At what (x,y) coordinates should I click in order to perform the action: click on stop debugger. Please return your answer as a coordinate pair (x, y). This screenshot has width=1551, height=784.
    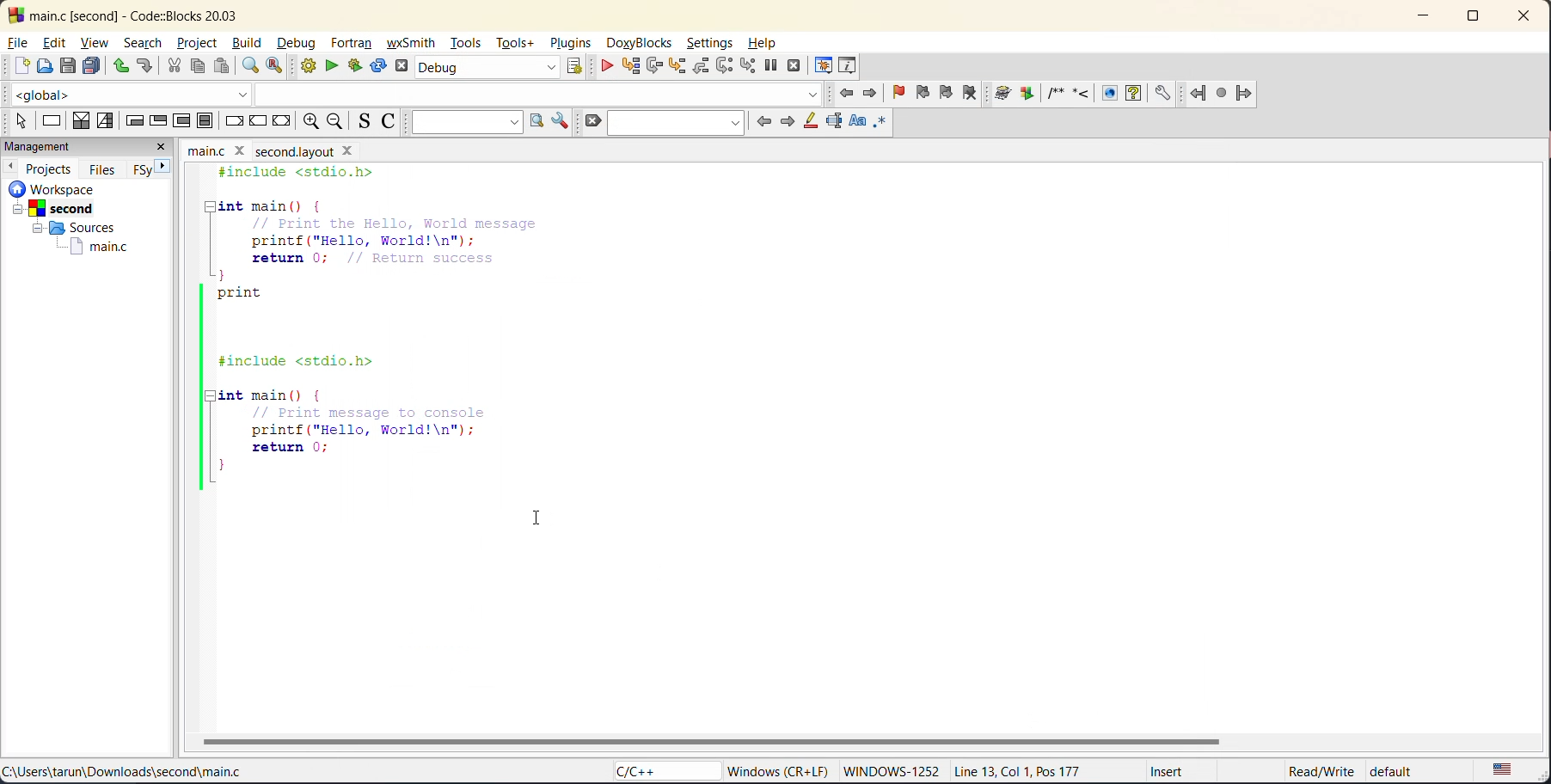
    Looking at the image, I should click on (793, 67).